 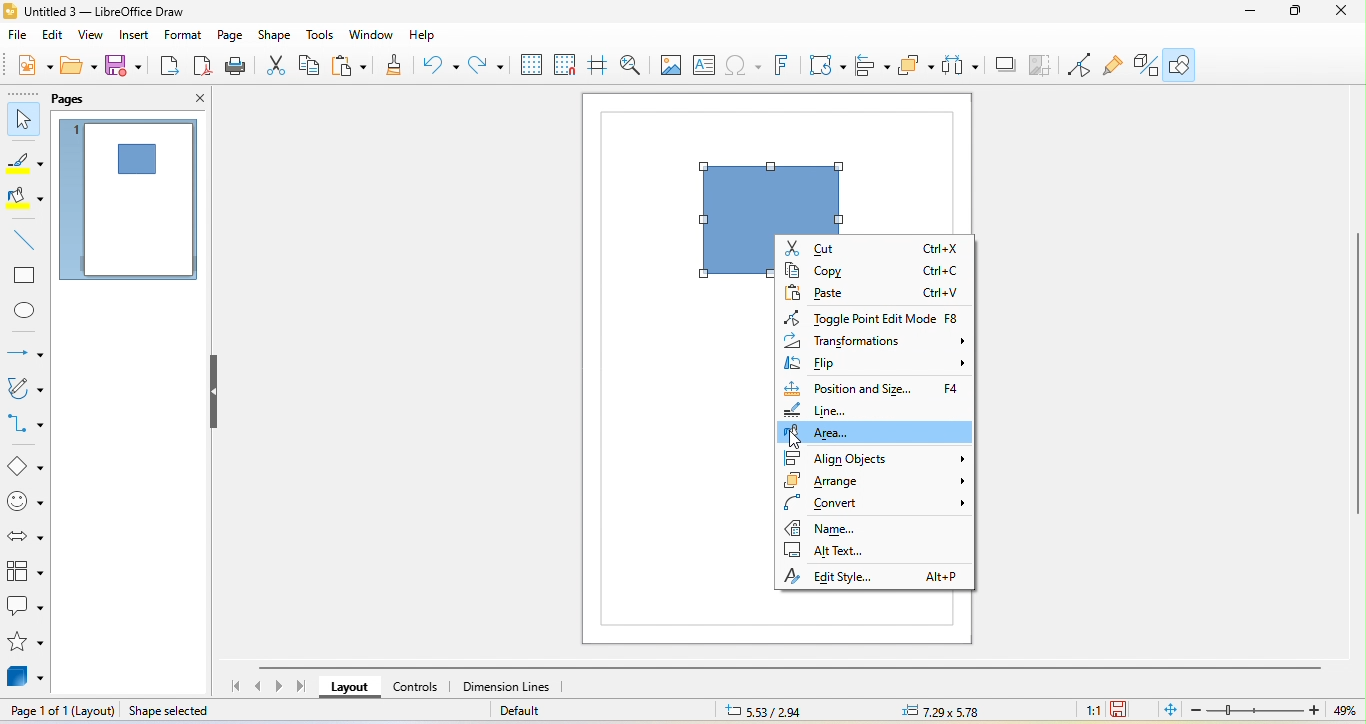 I want to click on fit page to current window, so click(x=1167, y=711).